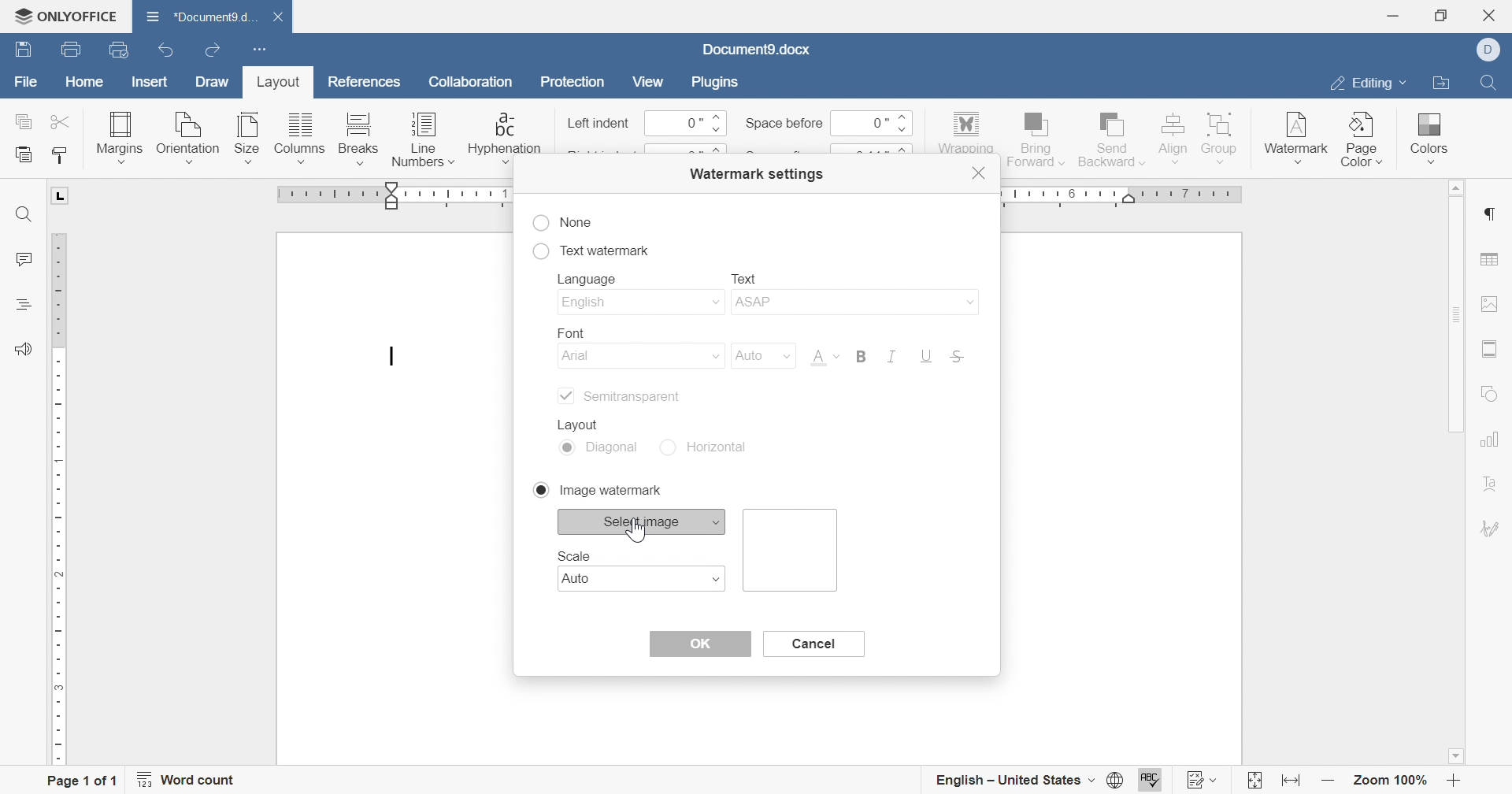 Image resolution: width=1512 pixels, height=794 pixels. What do you see at coordinates (1288, 784) in the screenshot?
I see `fit to width` at bounding box center [1288, 784].